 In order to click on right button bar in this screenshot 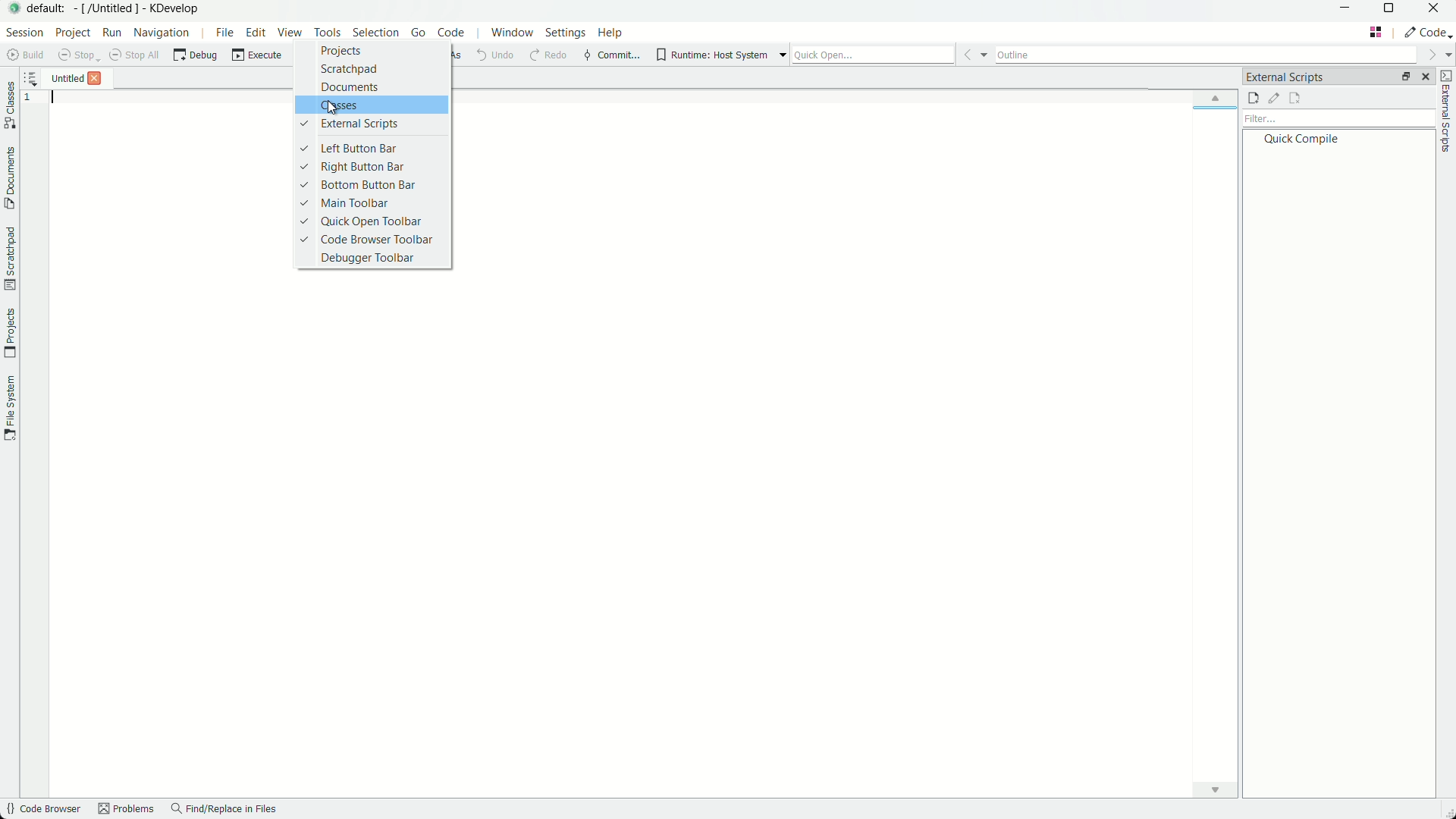, I will do `click(372, 168)`.